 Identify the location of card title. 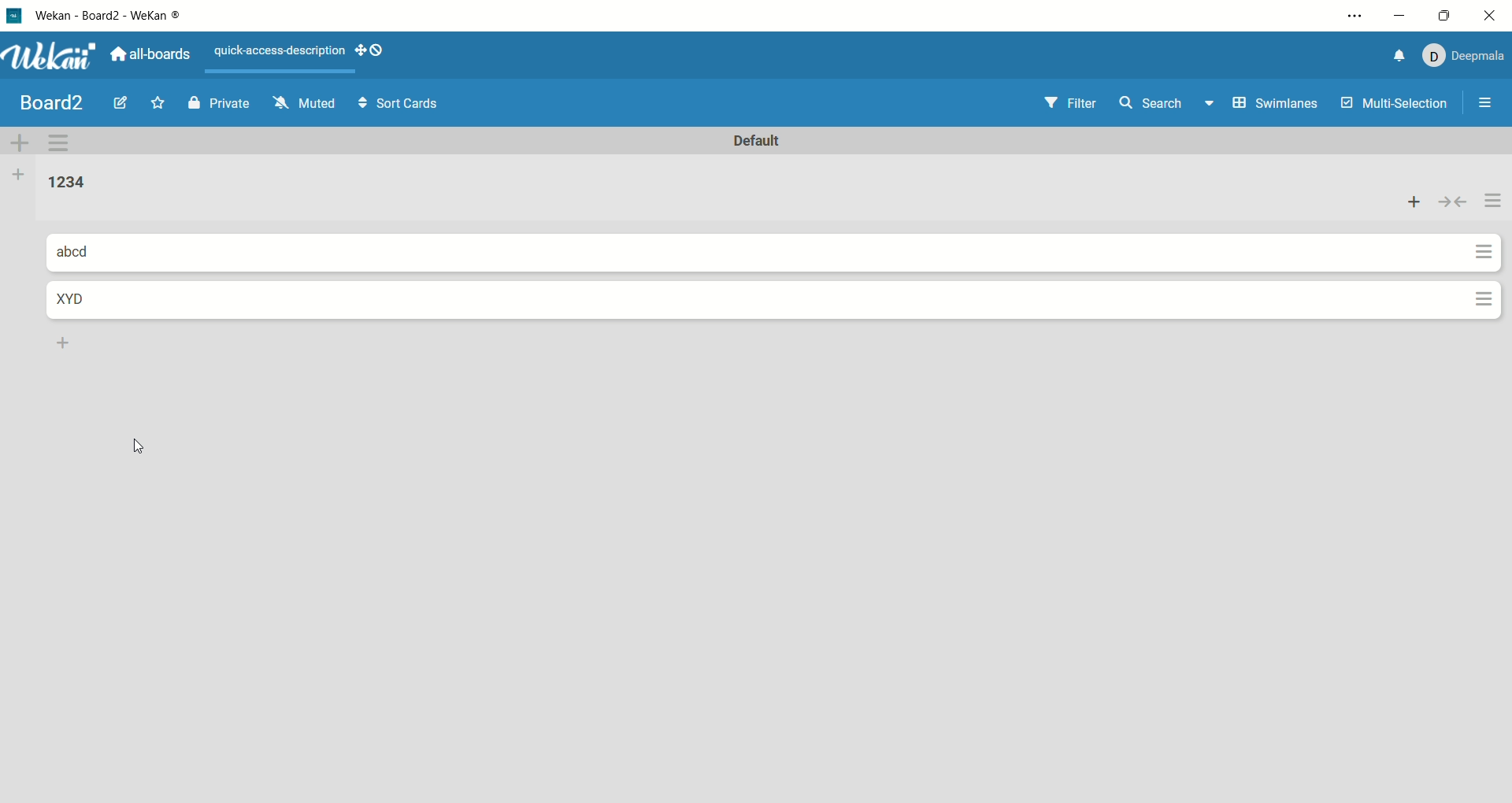
(87, 302).